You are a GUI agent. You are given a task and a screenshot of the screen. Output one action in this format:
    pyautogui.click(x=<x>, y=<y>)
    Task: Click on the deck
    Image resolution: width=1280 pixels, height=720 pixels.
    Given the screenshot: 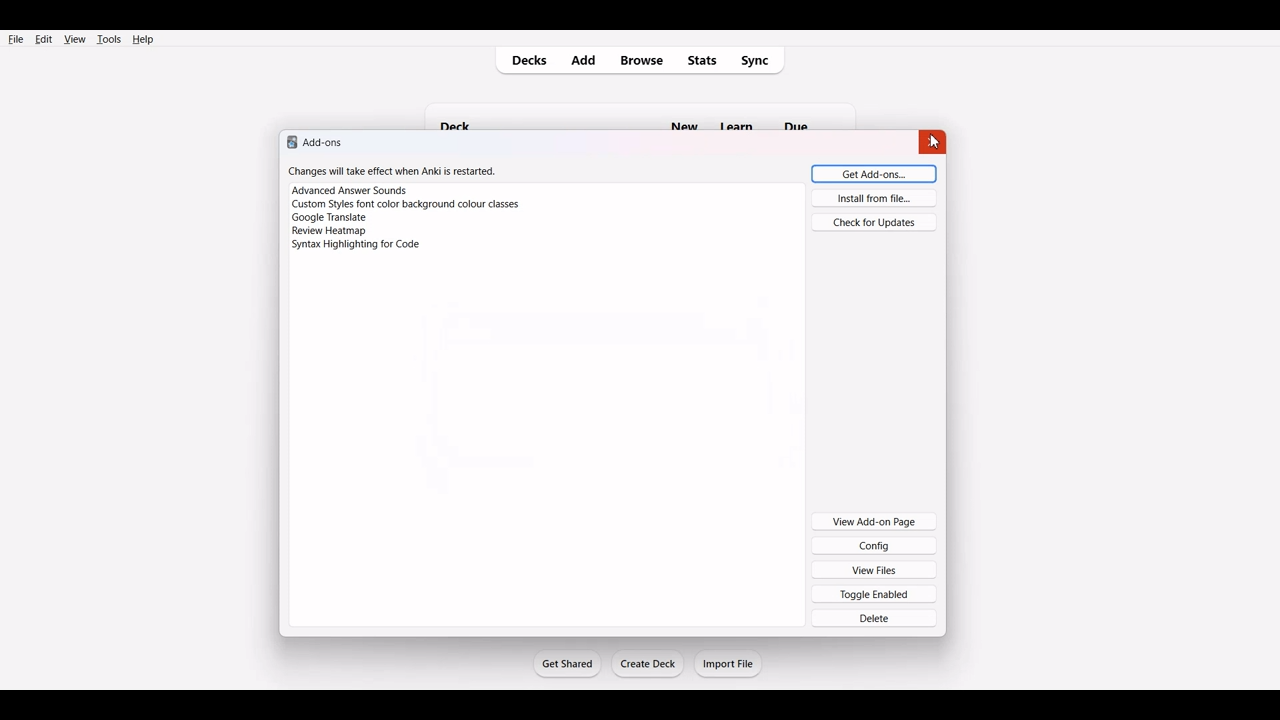 What is the action you would take?
    pyautogui.click(x=464, y=115)
    